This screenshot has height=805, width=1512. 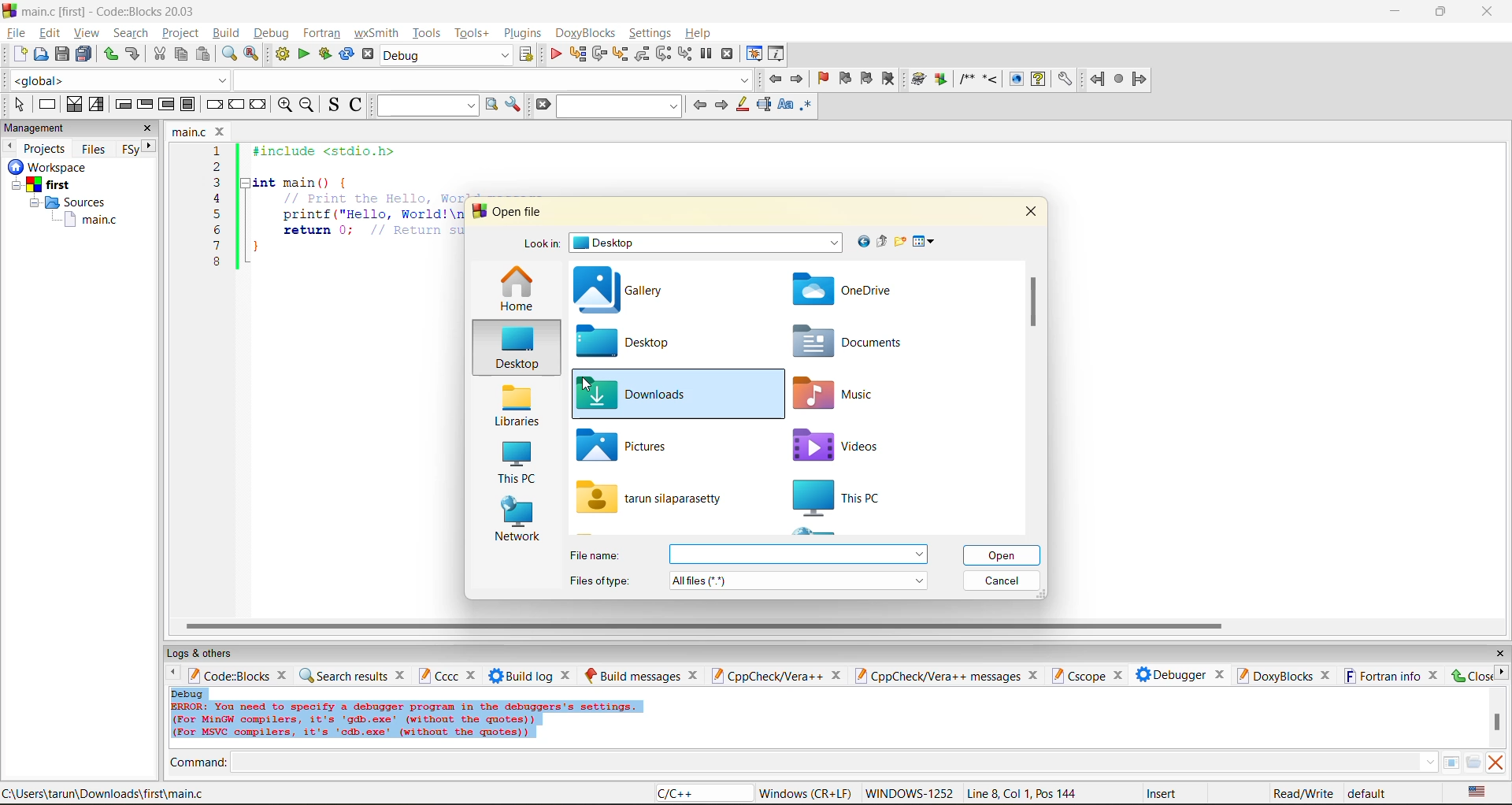 What do you see at coordinates (1495, 762) in the screenshot?
I see `clear output window` at bounding box center [1495, 762].